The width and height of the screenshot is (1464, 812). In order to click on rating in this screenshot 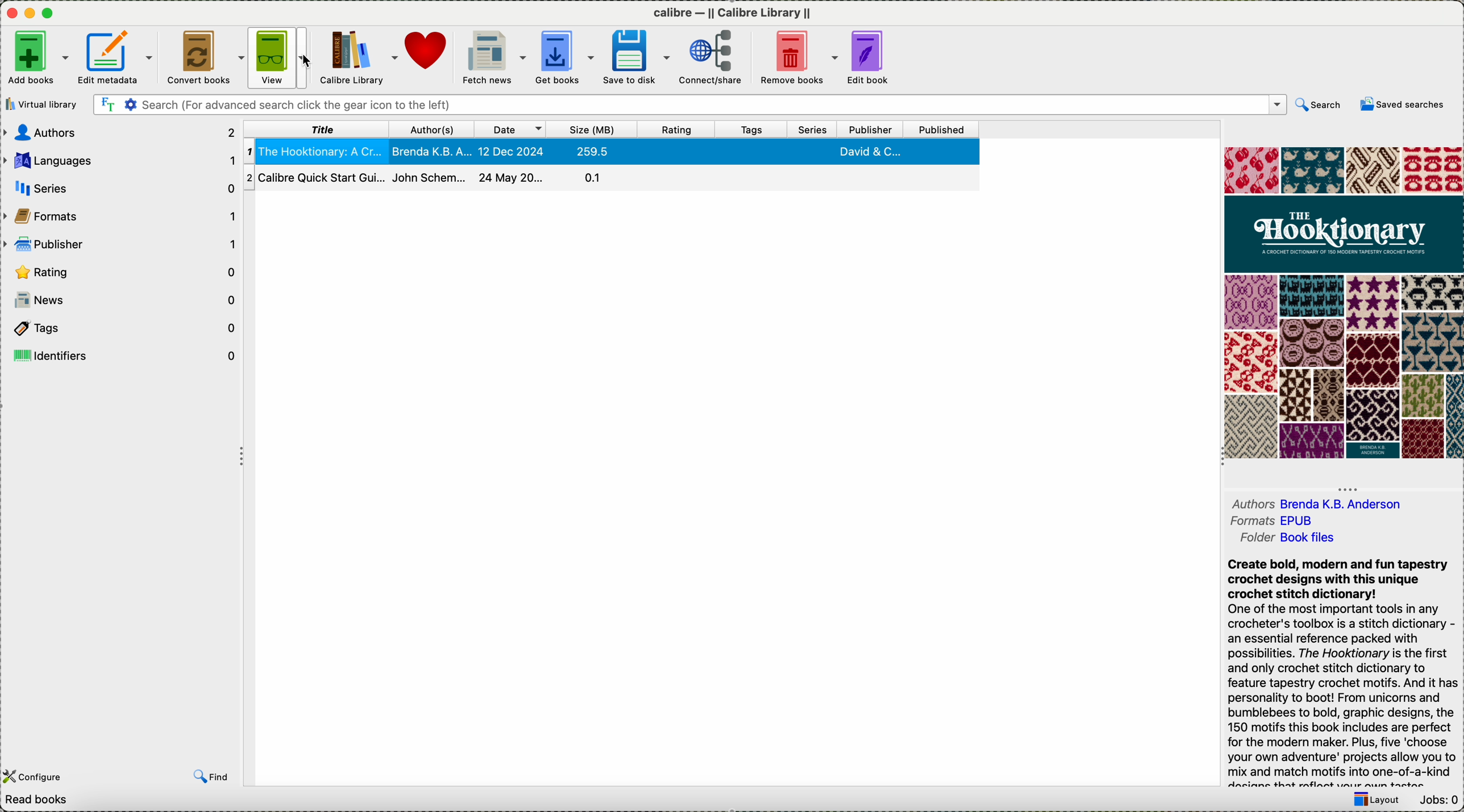, I will do `click(674, 130)`.